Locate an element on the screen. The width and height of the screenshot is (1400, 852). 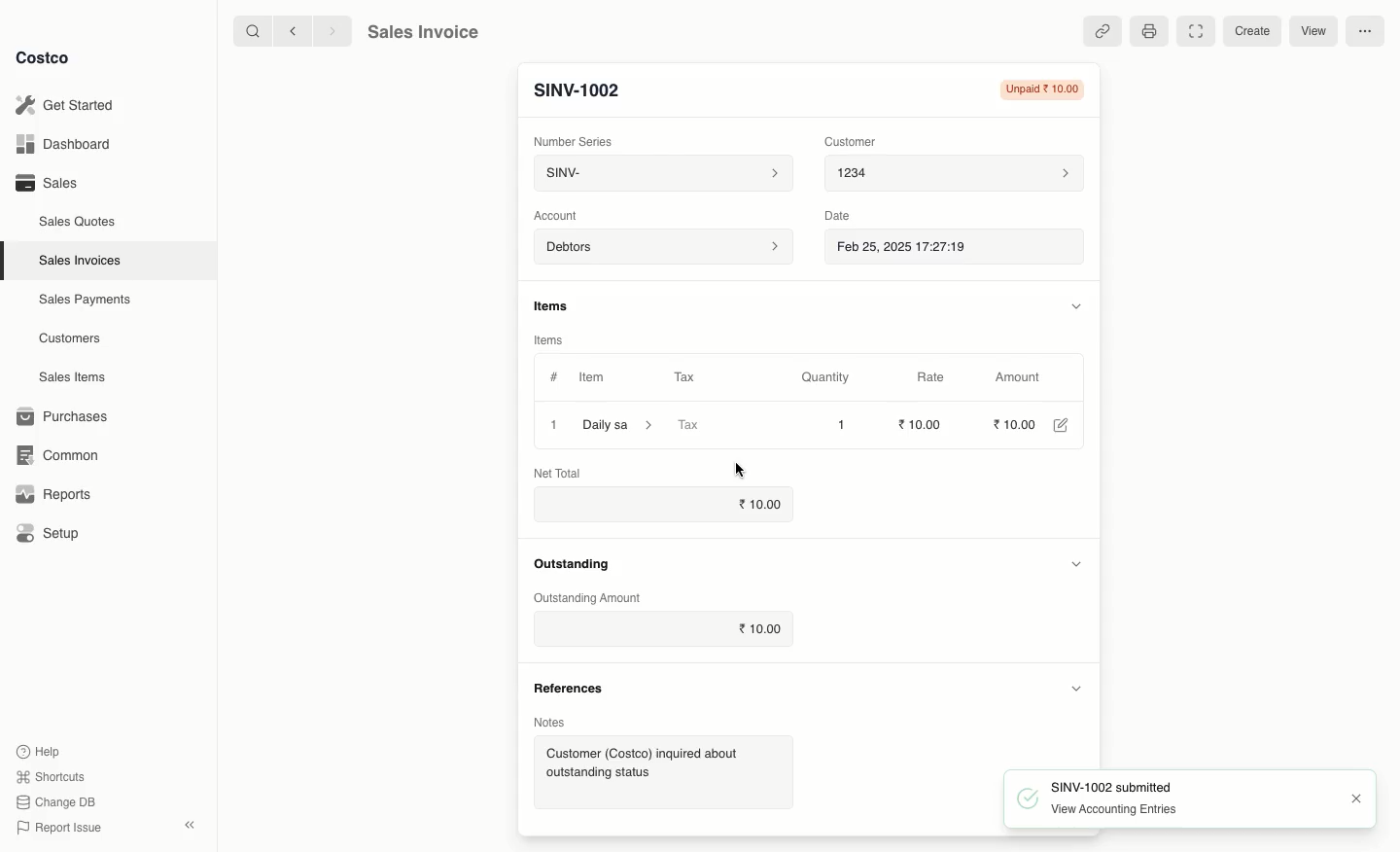
‘Outstanding Amount is located at coordinates (589, 596).